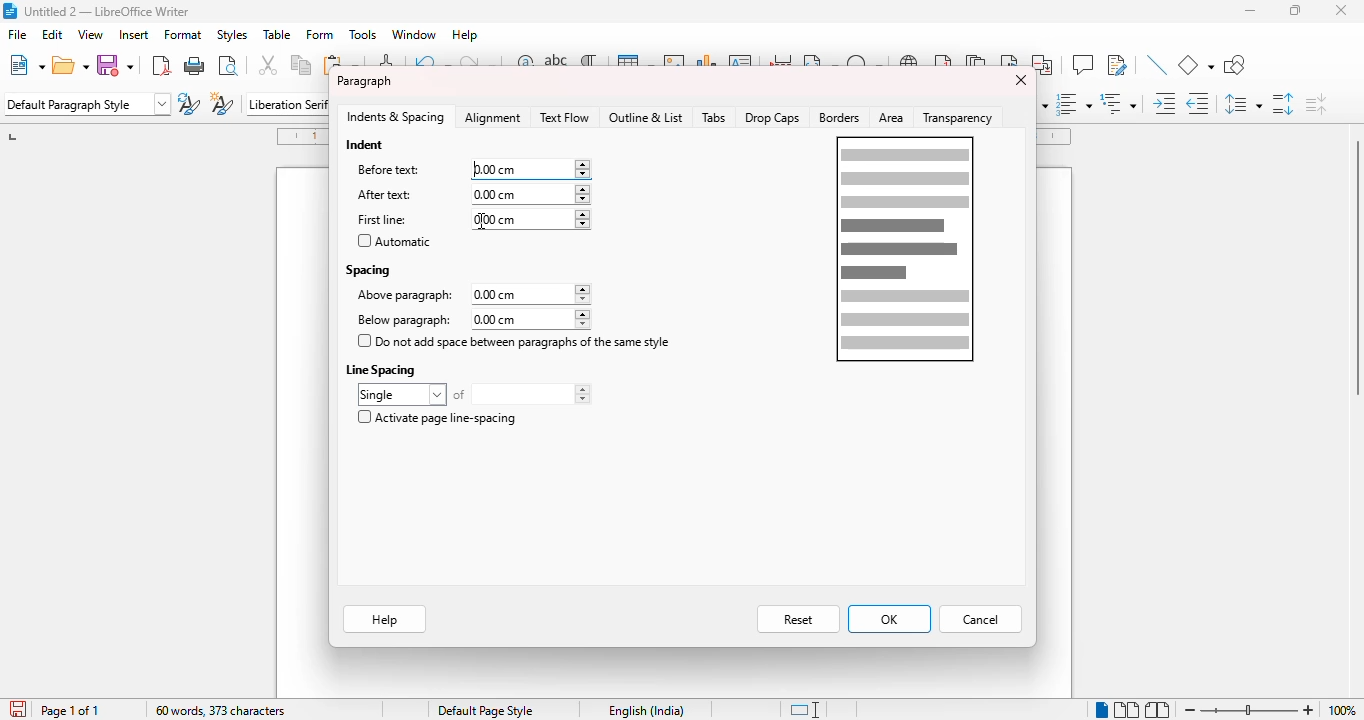 The image size is (1364, 720). What do you see at coordinates (160, 65) in the screenshot?
I see `export directly as PDF` at bounding box center [160, 65].